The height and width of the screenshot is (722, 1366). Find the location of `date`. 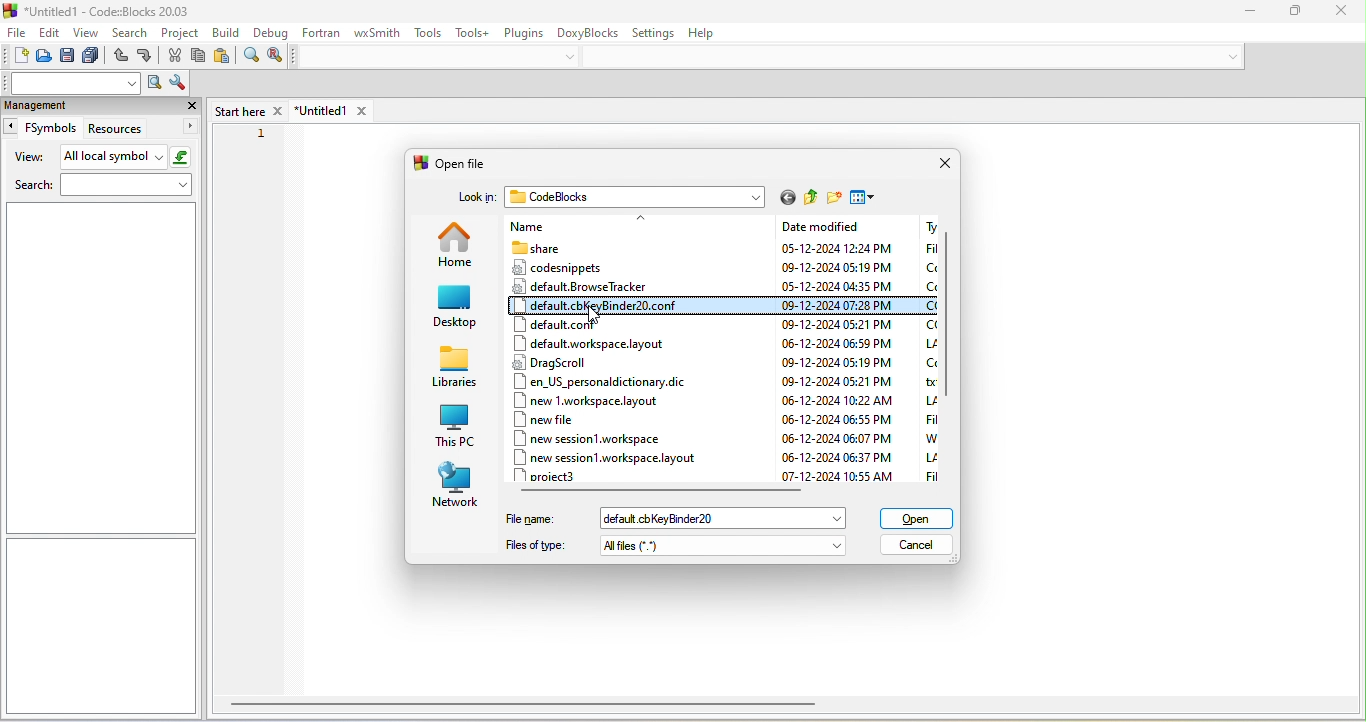

date is located at coordinates (838, 285).